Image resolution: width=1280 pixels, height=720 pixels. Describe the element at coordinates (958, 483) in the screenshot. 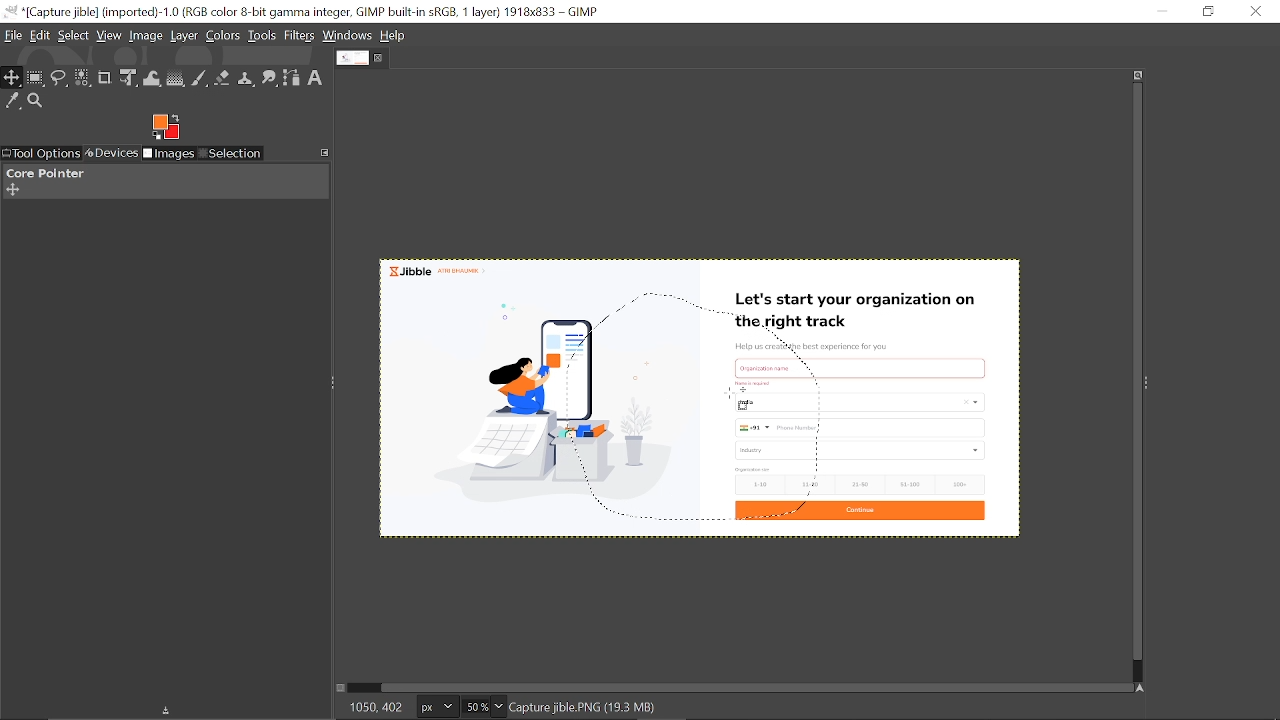

I see `100+` at that location.